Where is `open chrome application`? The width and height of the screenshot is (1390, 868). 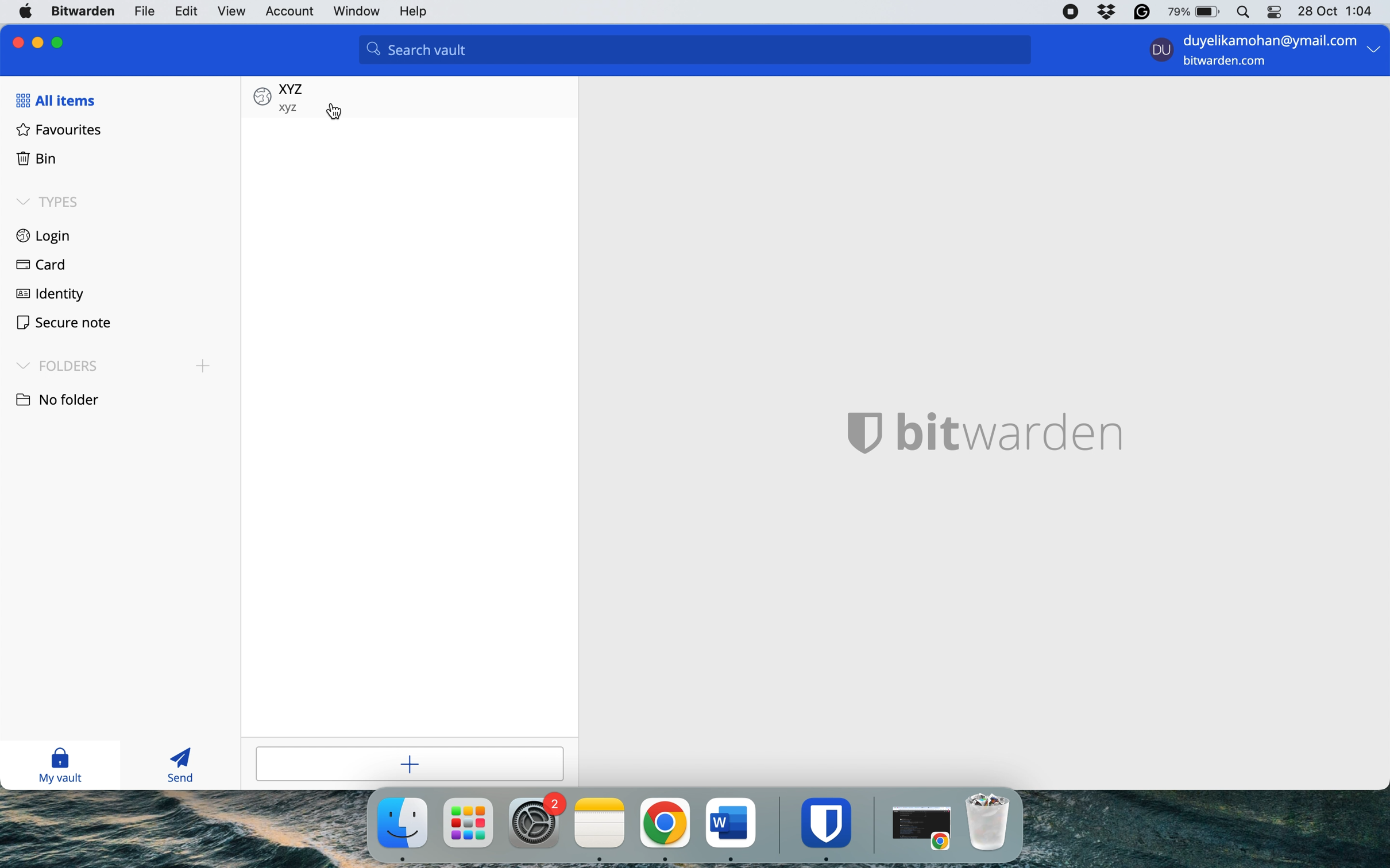 open chrome application is located at coordinates (925, 828).